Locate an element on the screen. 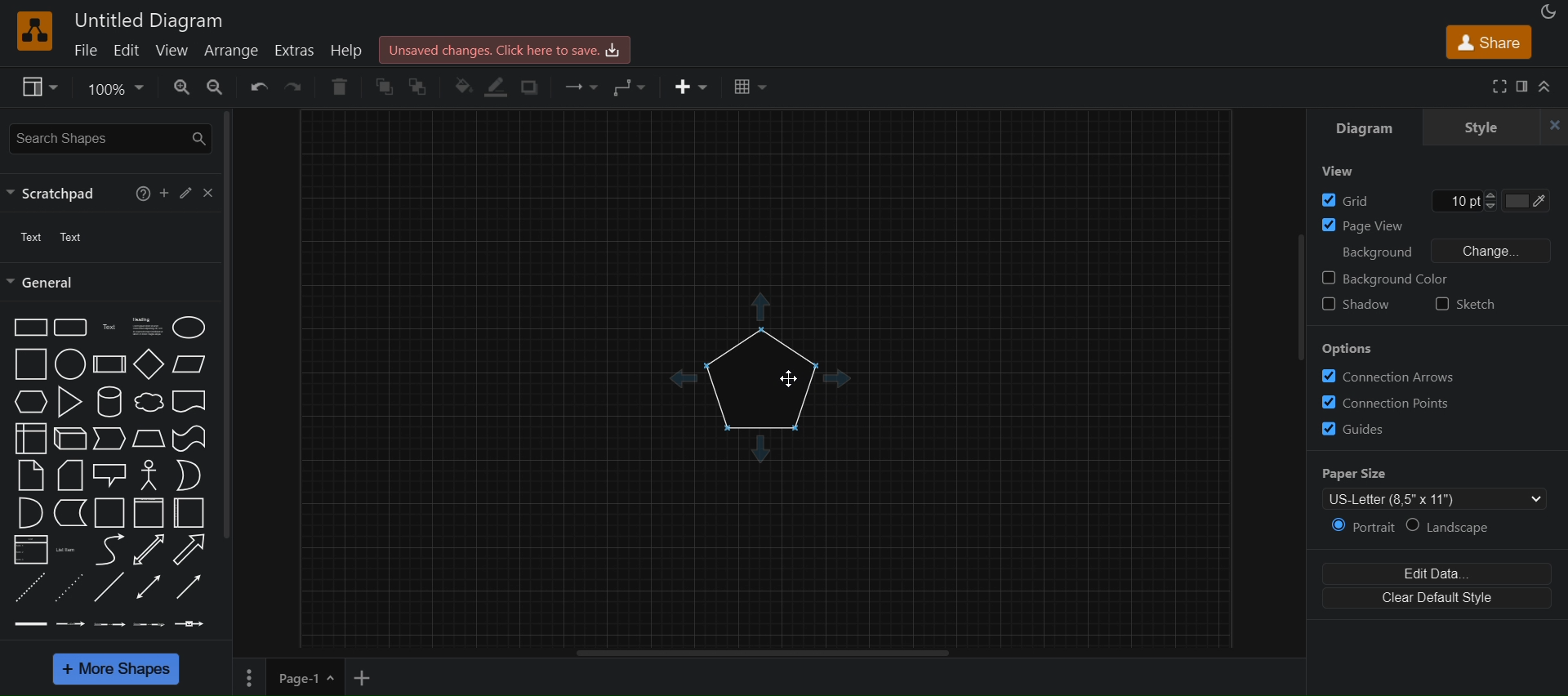  table is located at coordinates (748, 85).